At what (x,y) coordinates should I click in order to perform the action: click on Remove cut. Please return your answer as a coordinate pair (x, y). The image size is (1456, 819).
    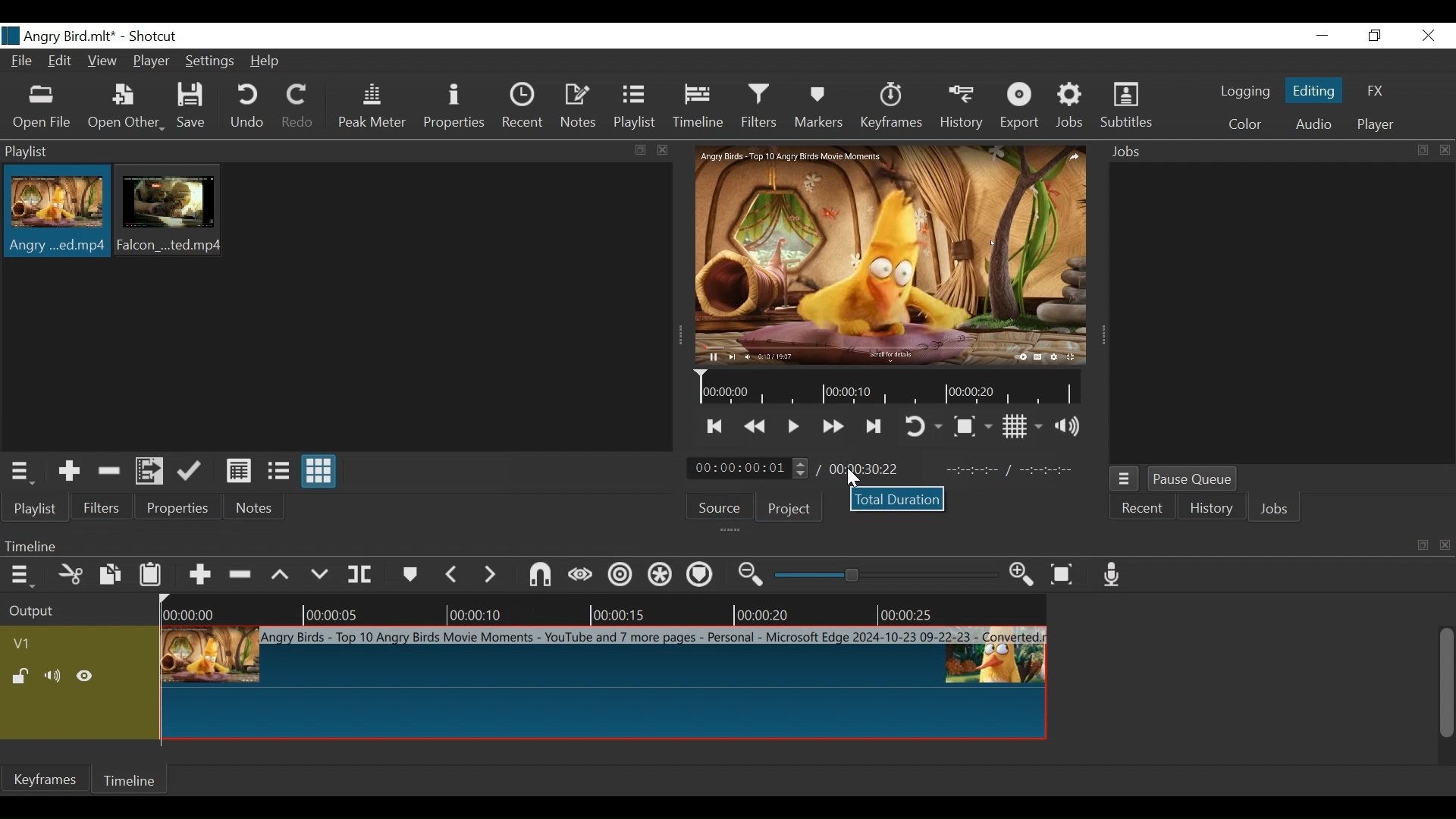
    Looking at the image, I should click on (108, 473).